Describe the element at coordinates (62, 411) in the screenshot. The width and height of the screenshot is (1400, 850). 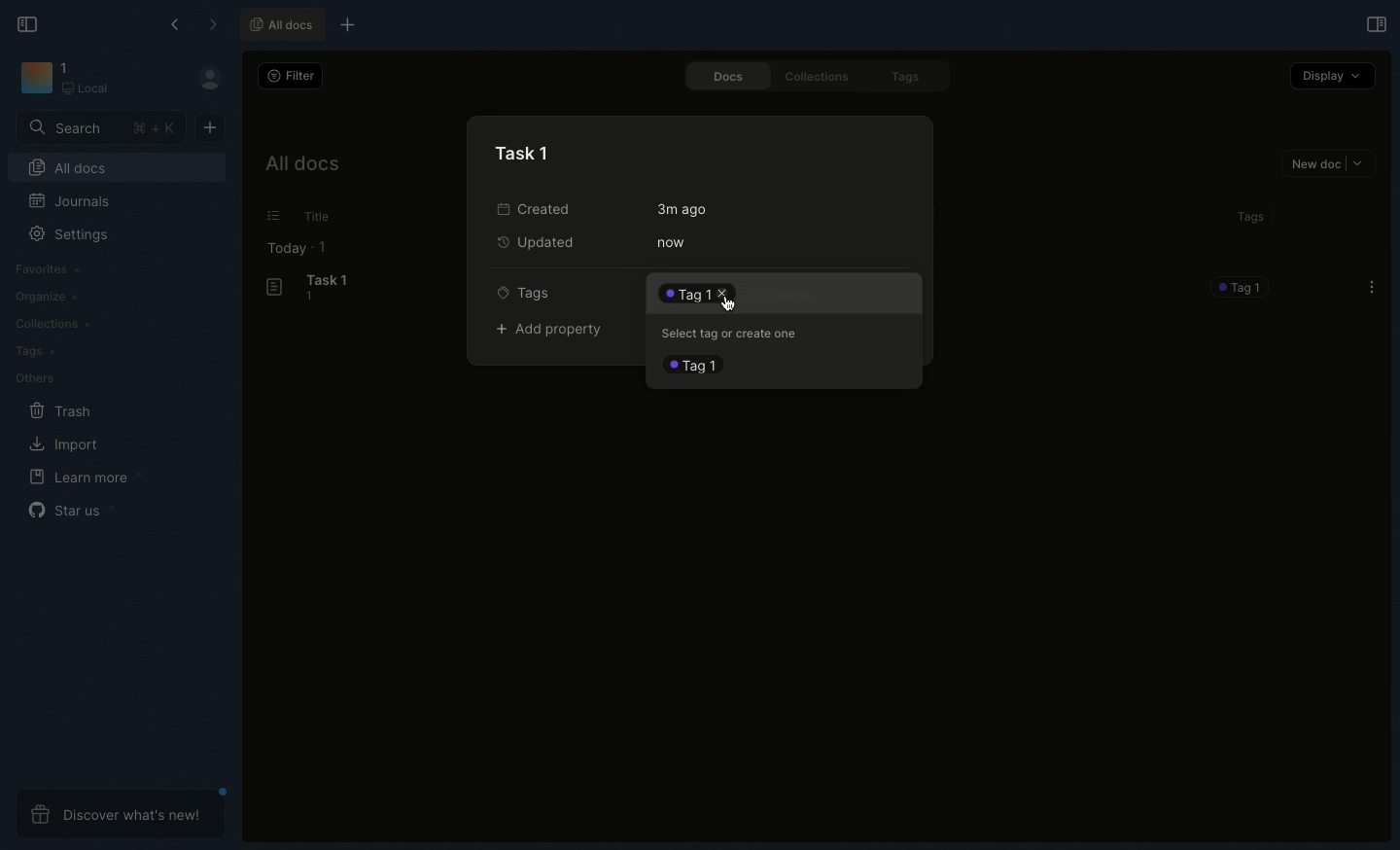
I see `Trash` at that location.